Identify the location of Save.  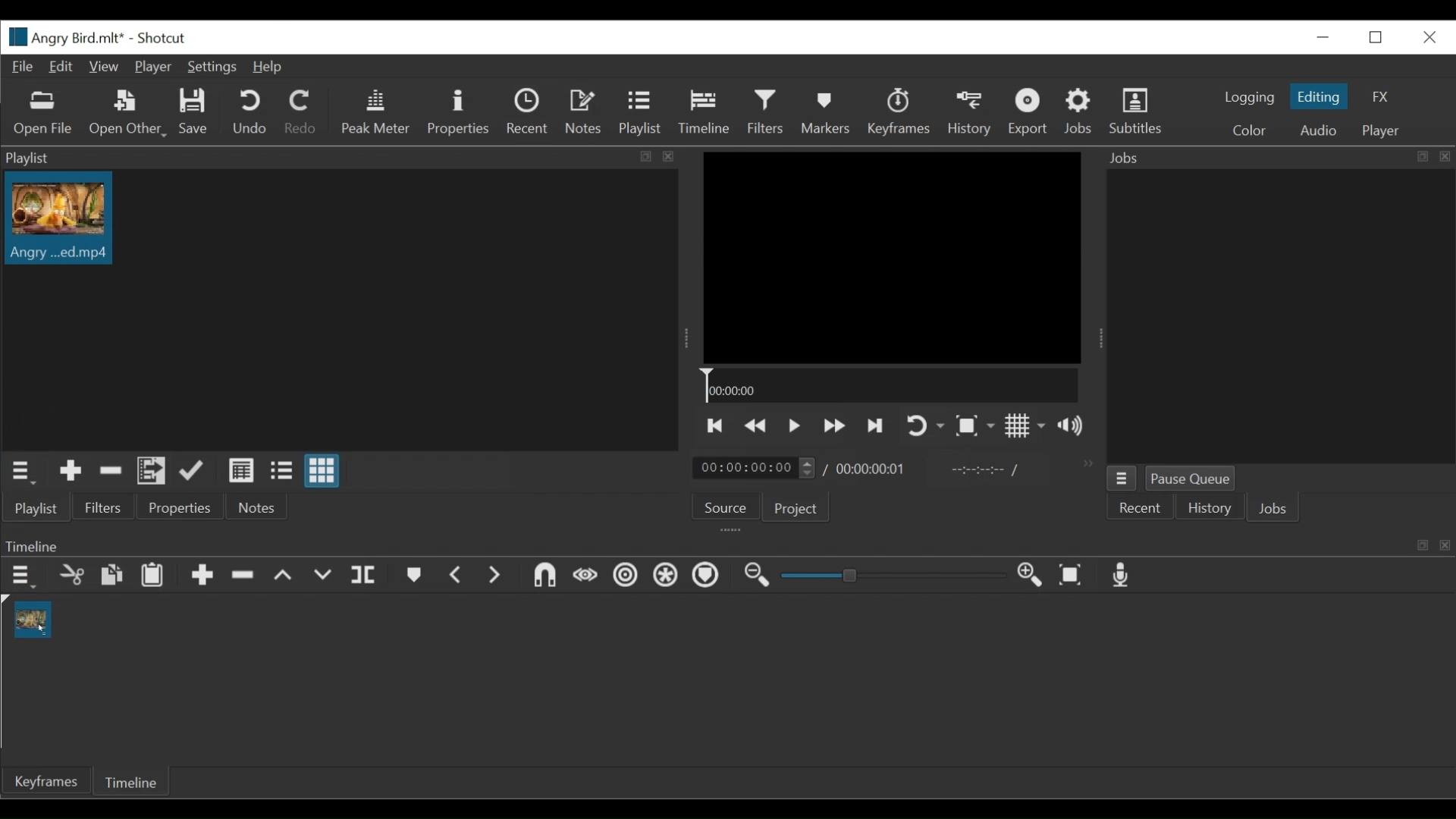
(195, 113).